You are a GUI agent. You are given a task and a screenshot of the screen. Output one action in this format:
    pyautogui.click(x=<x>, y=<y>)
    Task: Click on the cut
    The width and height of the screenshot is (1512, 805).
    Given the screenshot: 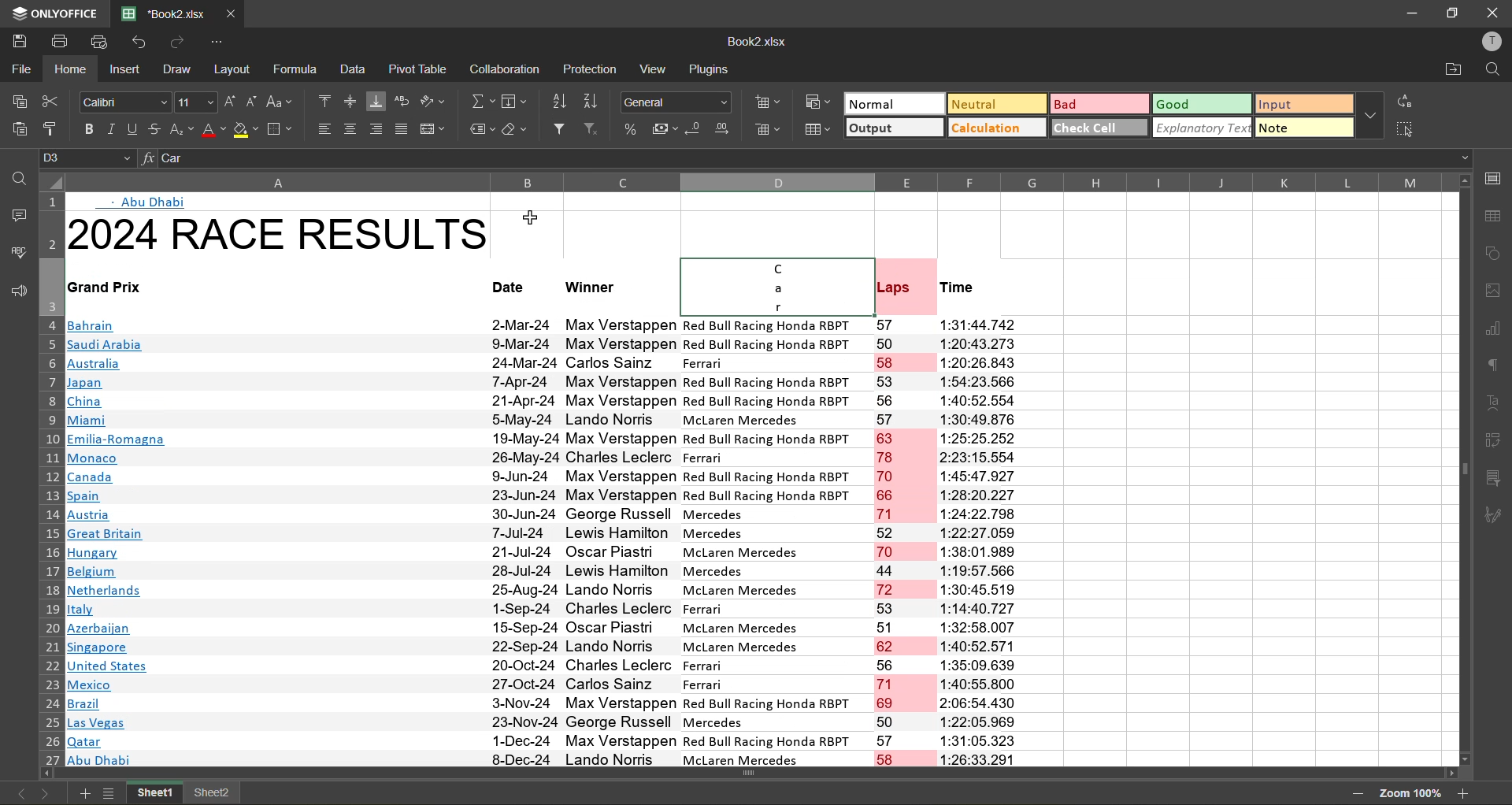 What is the action you would take?
    pyautogui.click(x=53, y=103)
    